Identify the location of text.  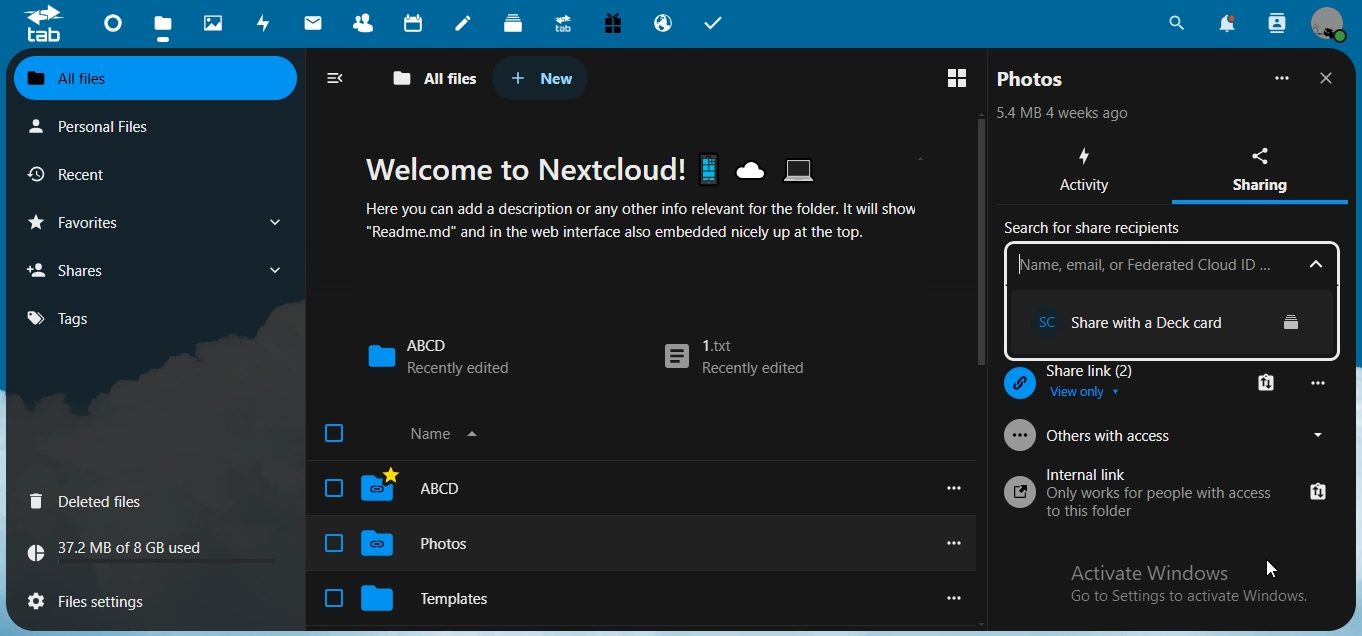
(124, 551).